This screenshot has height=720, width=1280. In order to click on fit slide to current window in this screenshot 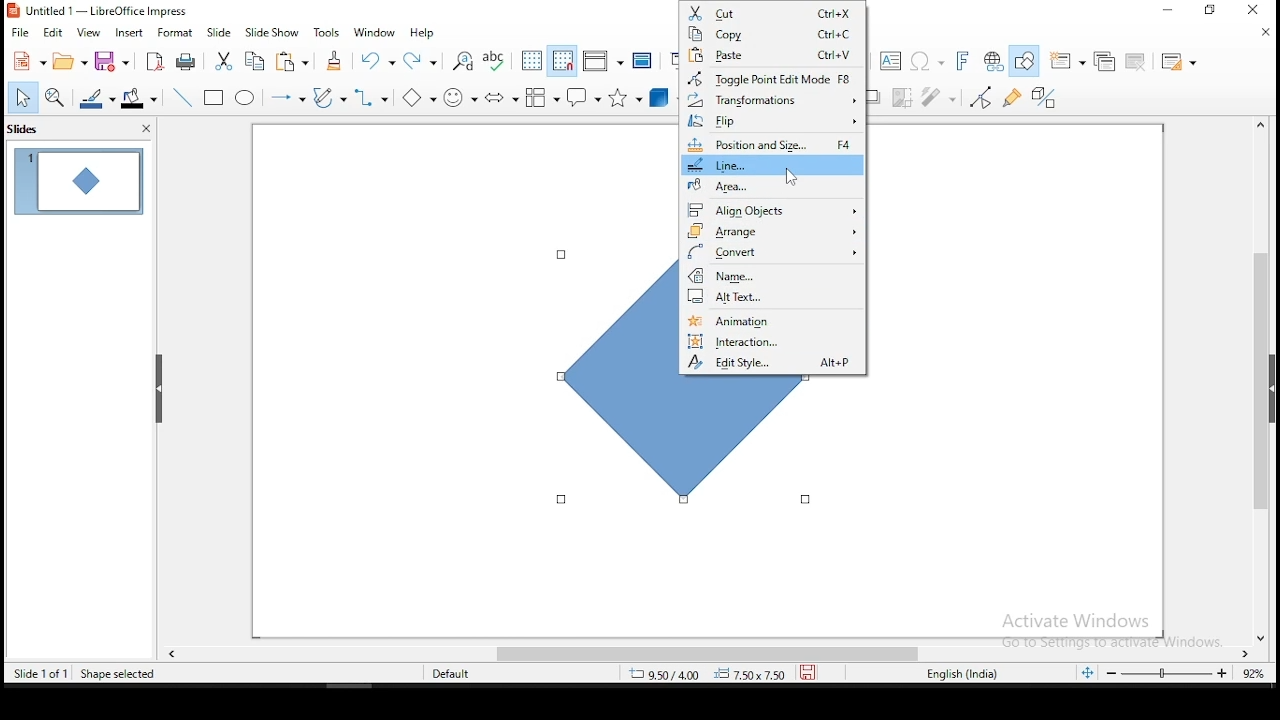, I will do `click(1087, 671)`.